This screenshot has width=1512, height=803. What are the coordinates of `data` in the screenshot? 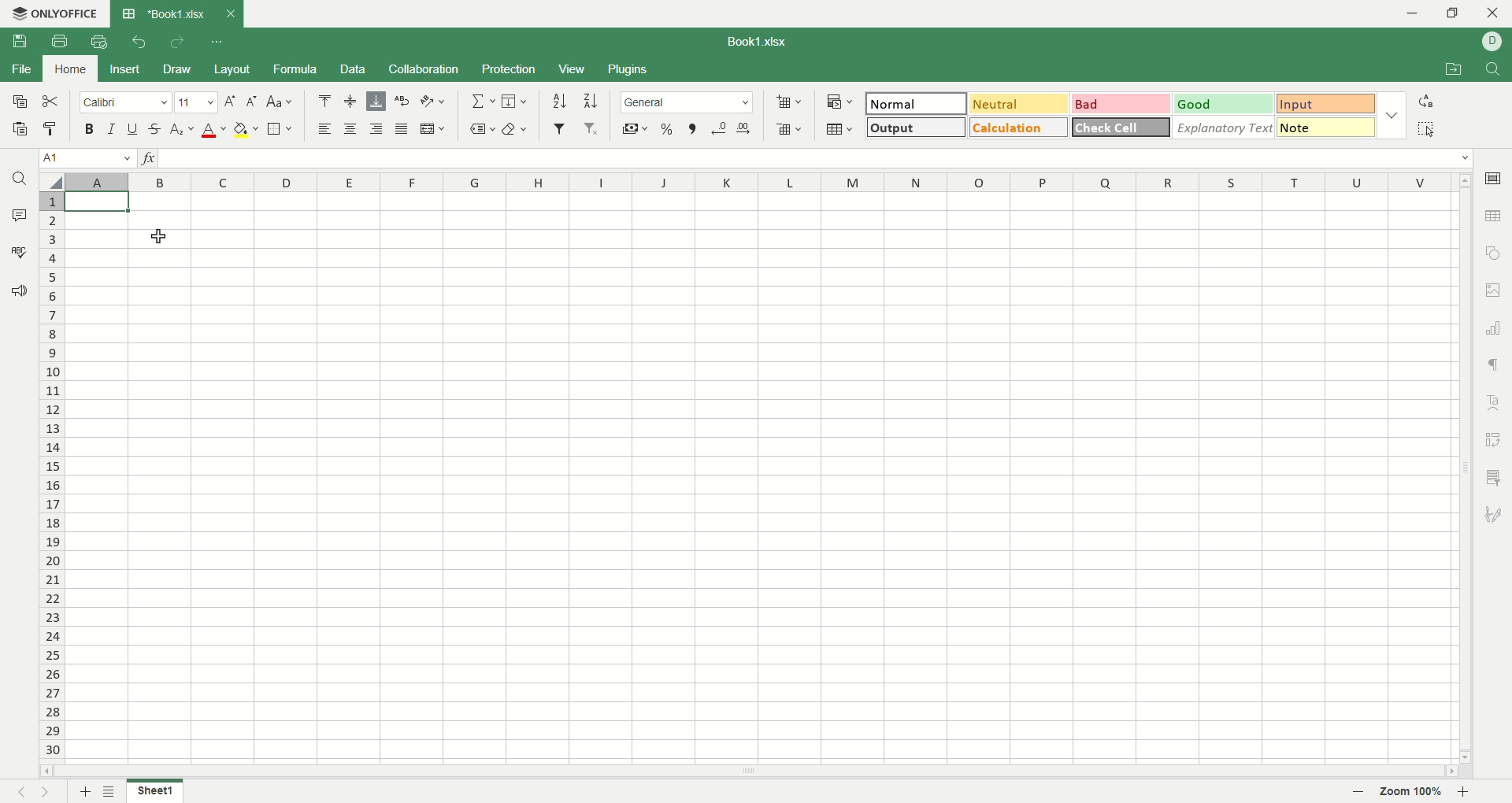 It's located at (355, 69).